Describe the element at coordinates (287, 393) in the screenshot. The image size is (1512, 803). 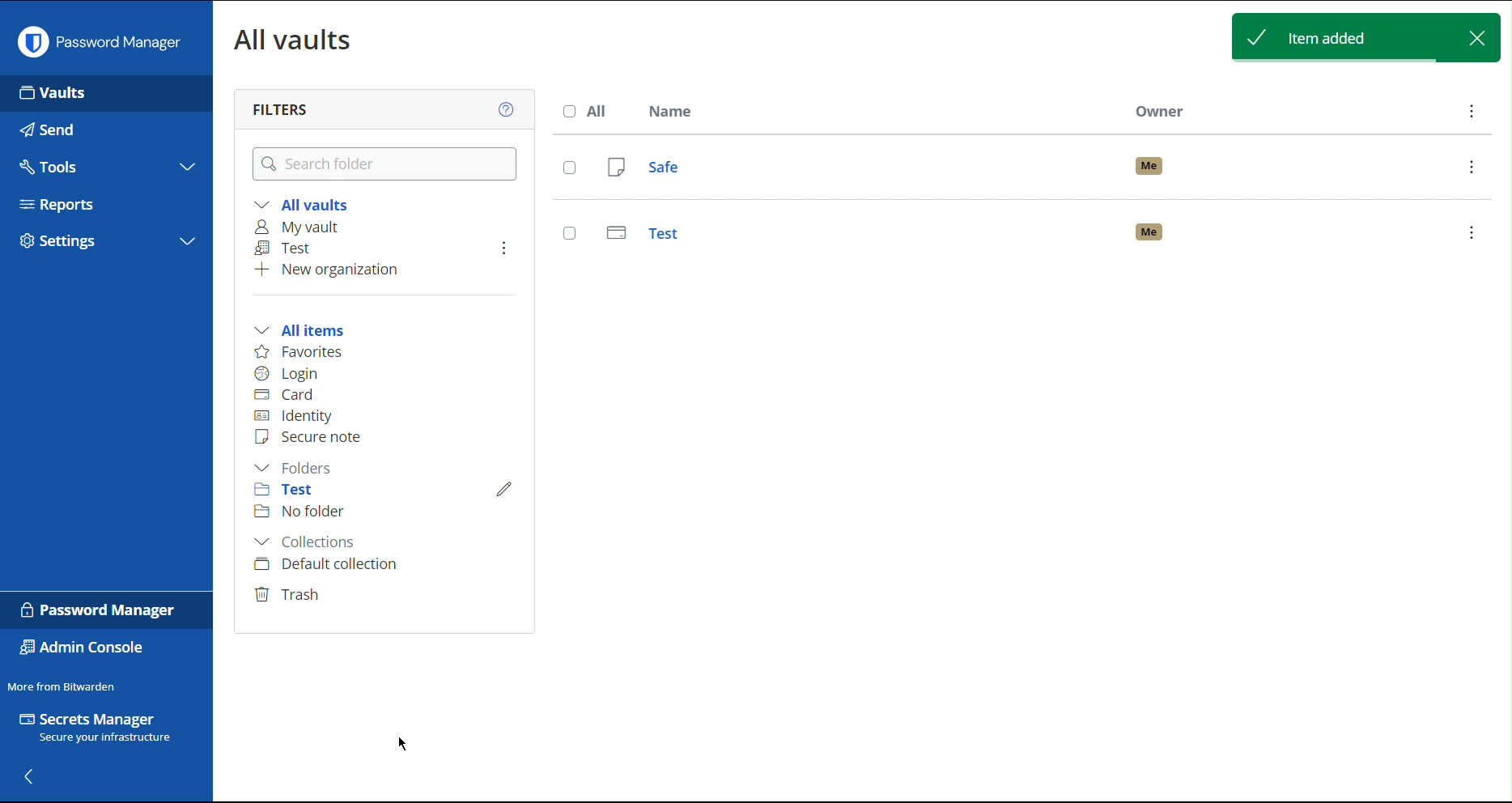
I see `Card` at that location.